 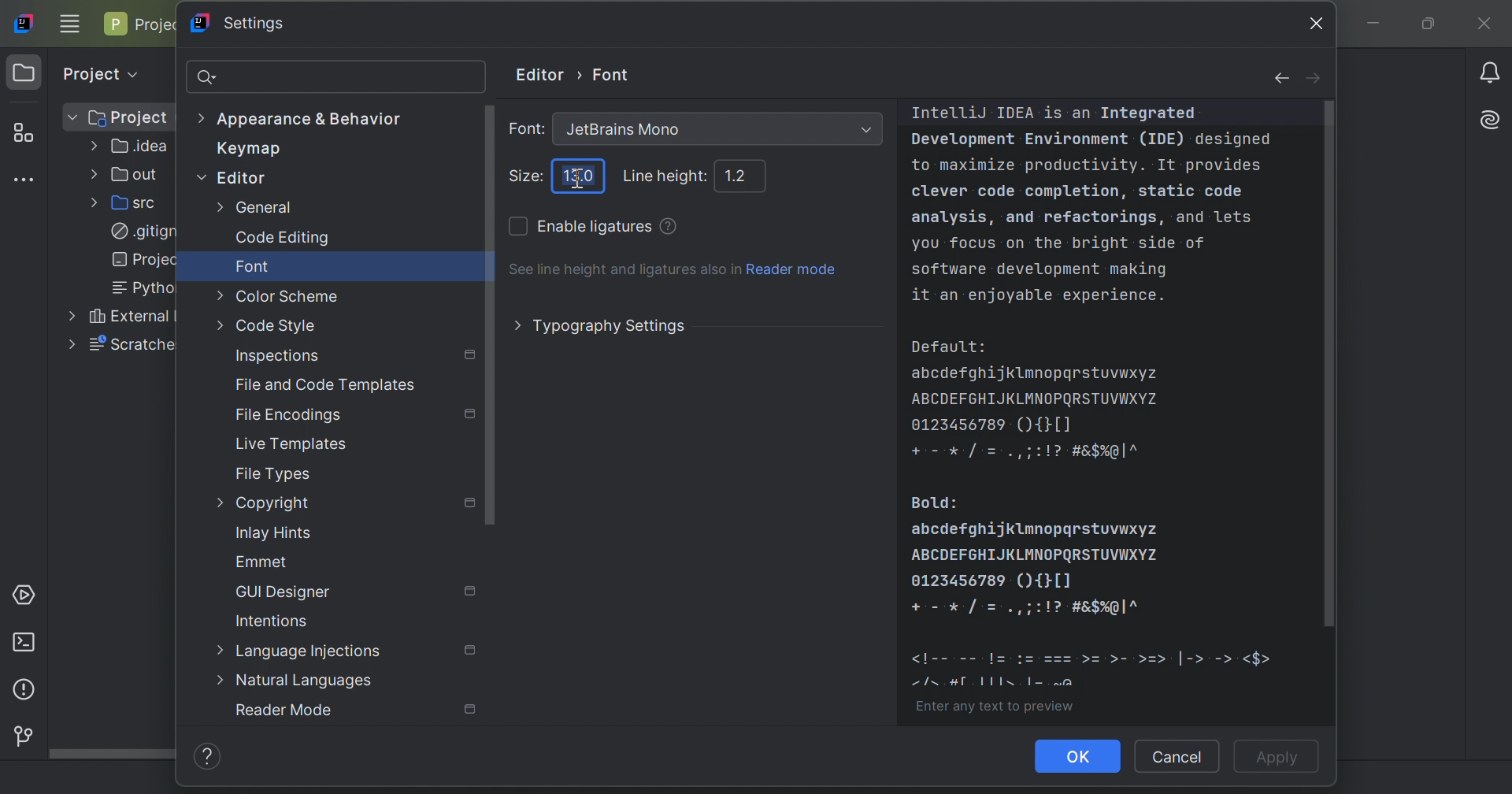 What do you see at coordinates (666, 177) in the screenshot?
I see `Line height` at bounding box center [666, 177].